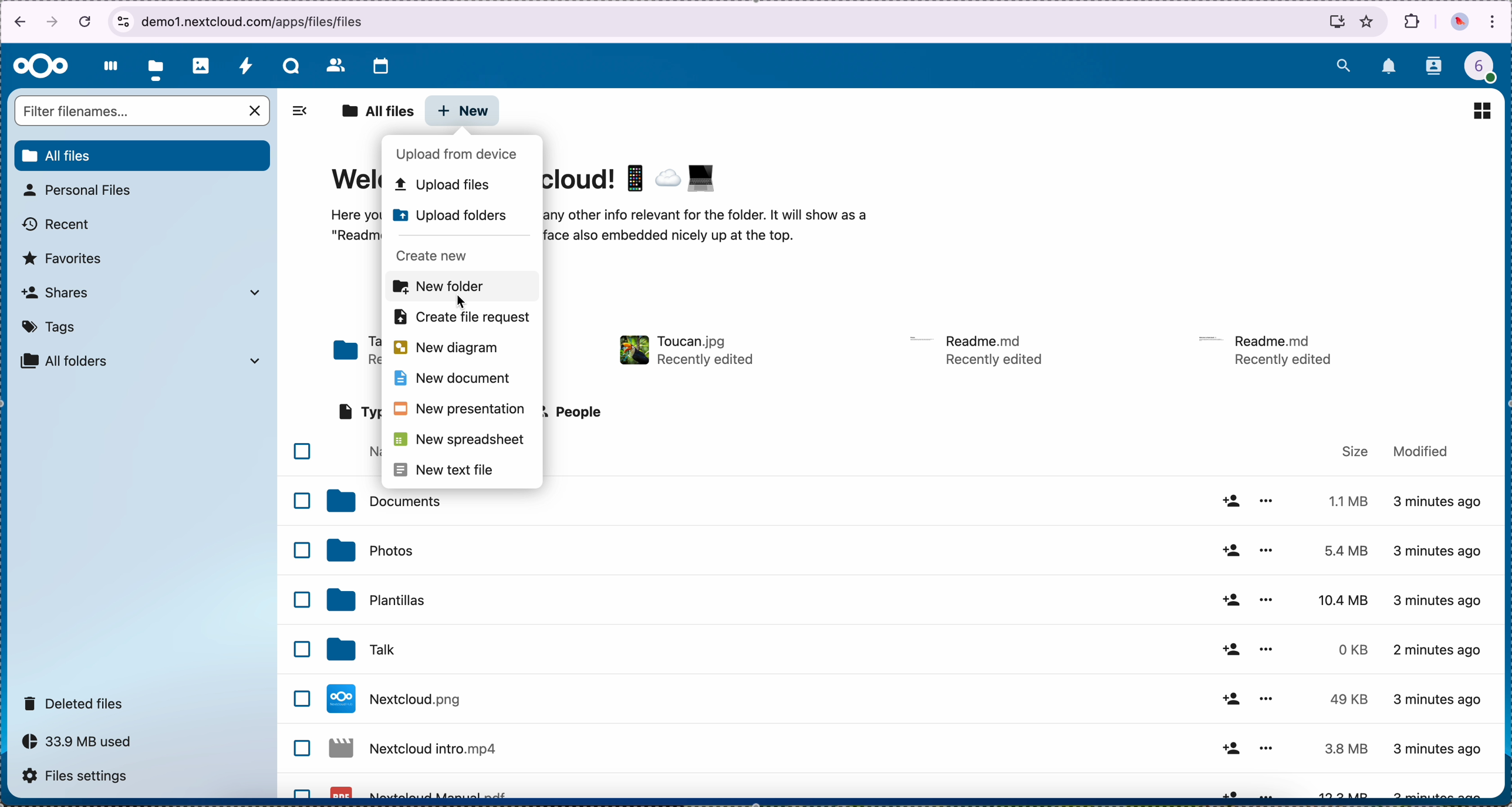  What do you see at coordinates (1268, 650) in the screenshot?
I see `more options` at bounding box center [1268, 650].